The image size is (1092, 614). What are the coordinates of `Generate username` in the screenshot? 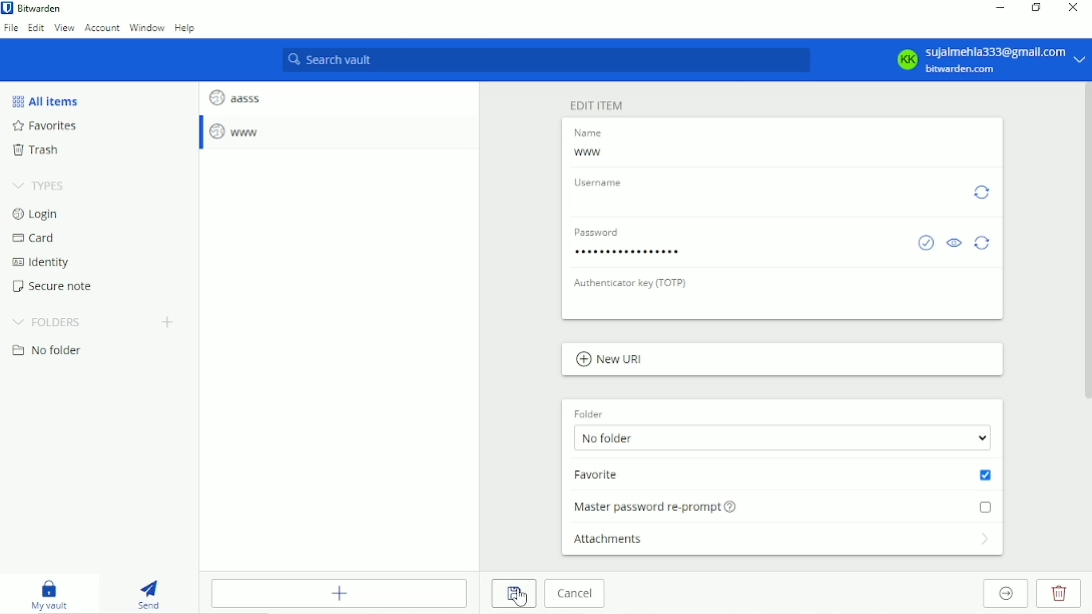 It's located at (983, 191).